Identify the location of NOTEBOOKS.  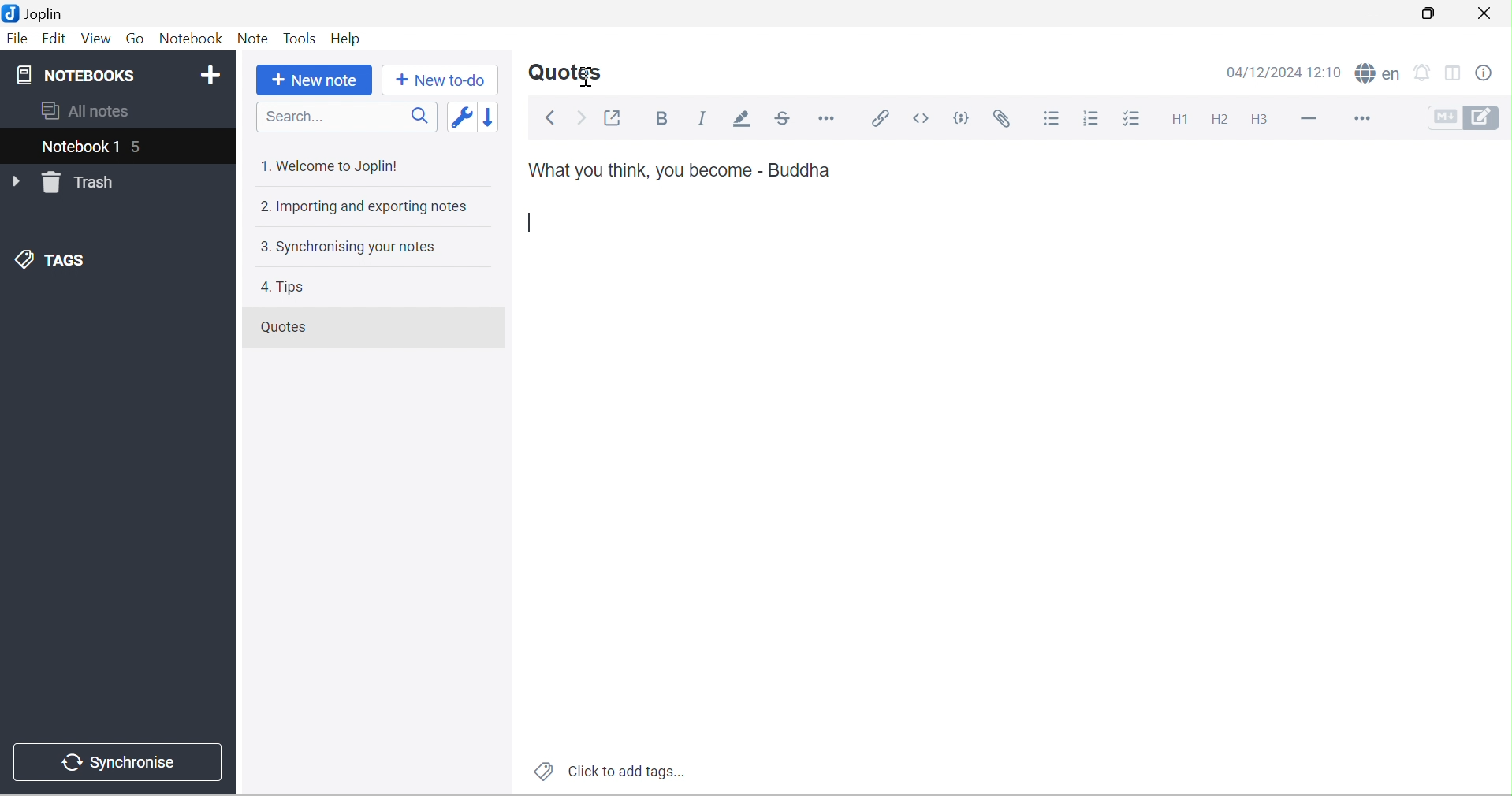
(80, 75).